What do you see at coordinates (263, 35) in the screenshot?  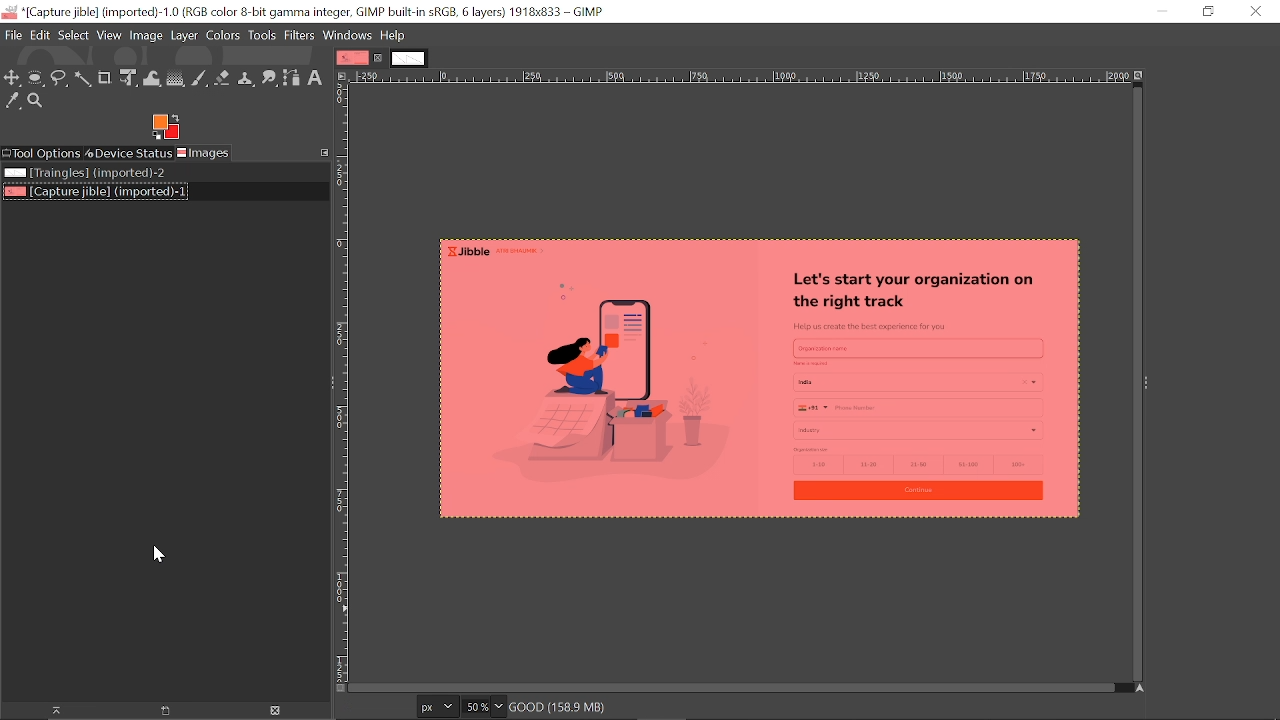 I see `Tools` at bounding box center [263, 35].